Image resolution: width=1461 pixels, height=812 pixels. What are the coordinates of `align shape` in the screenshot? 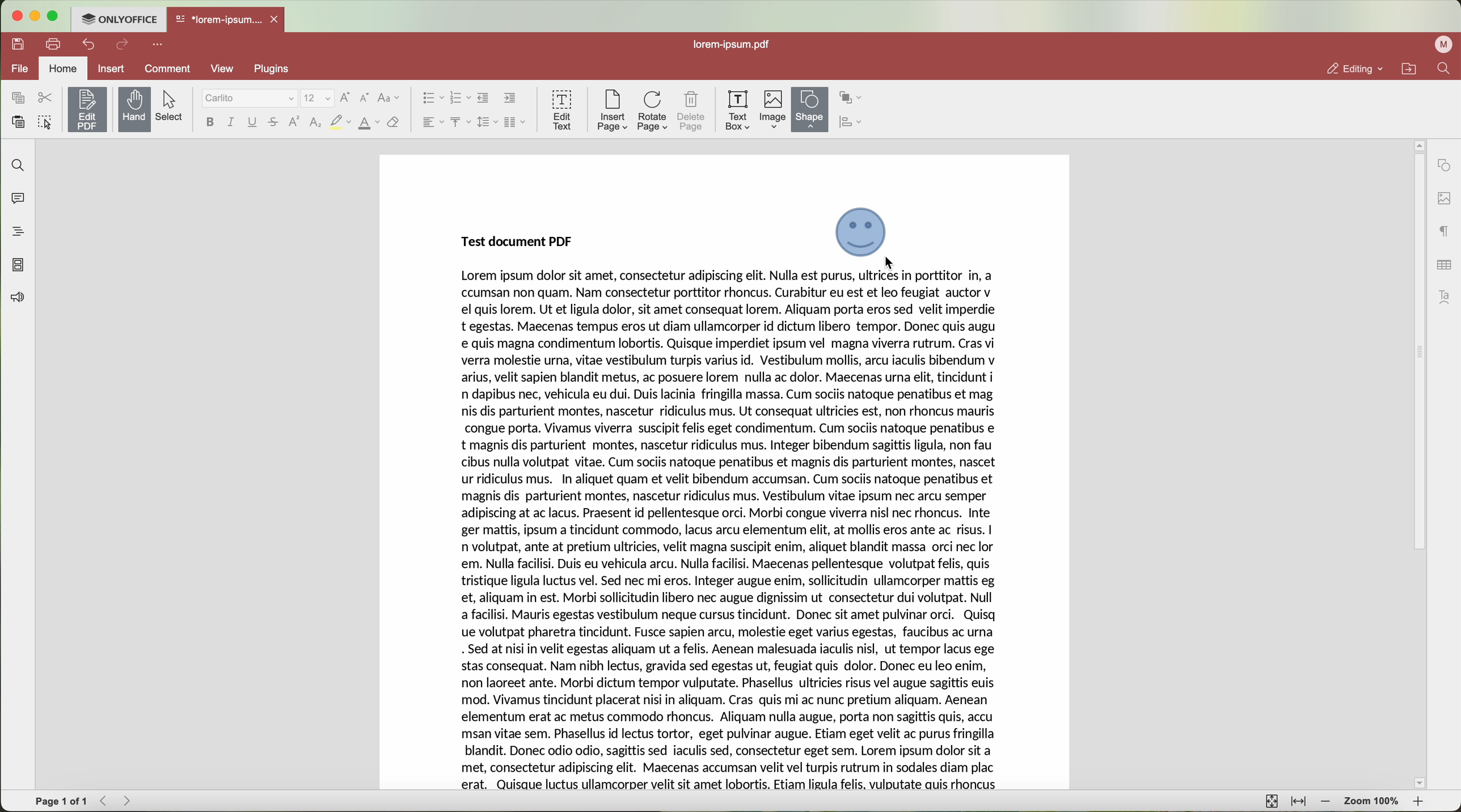 It's located at (856, 123).